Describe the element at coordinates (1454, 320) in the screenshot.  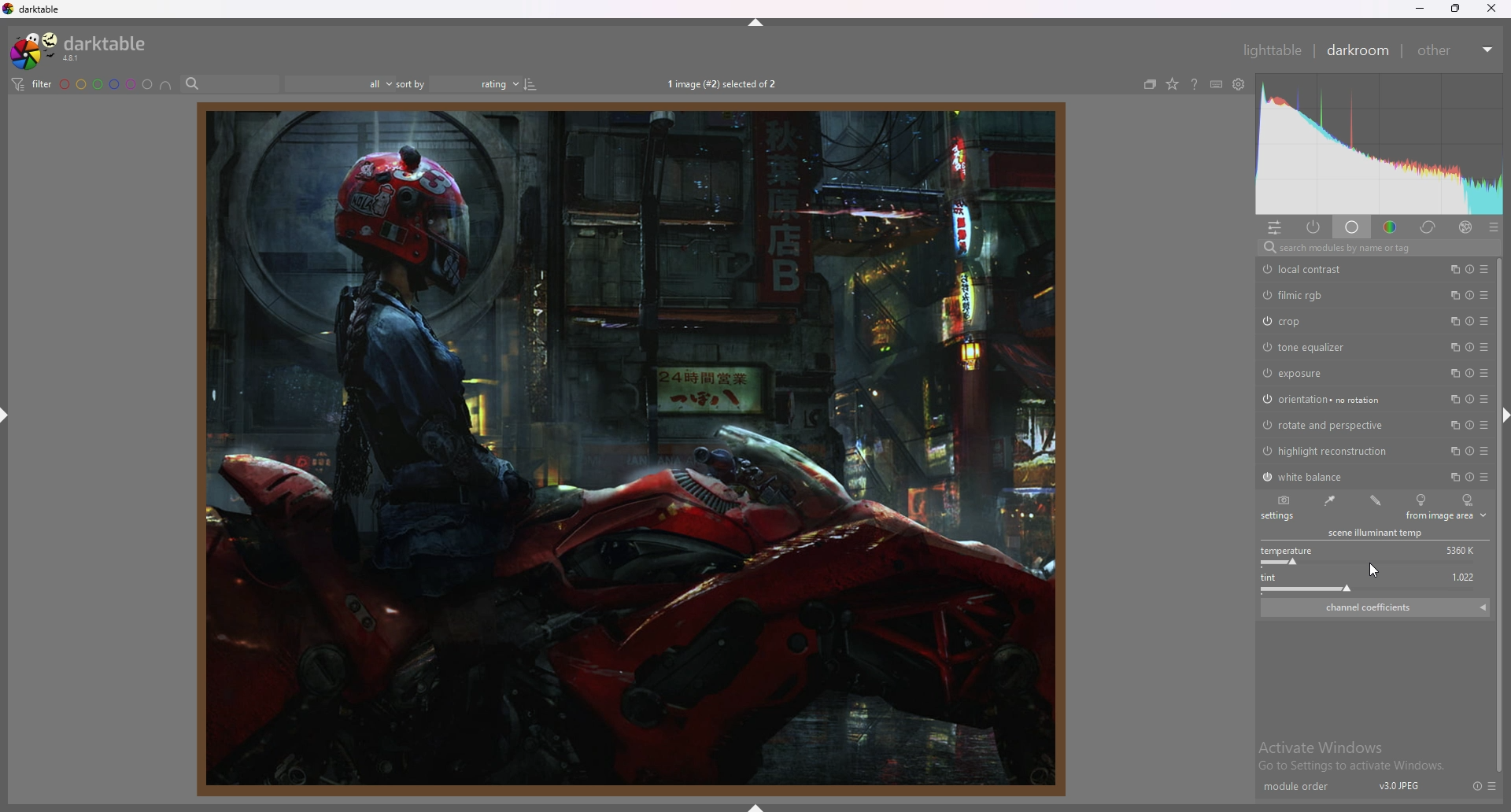
I see `multiple instances action` at that location.